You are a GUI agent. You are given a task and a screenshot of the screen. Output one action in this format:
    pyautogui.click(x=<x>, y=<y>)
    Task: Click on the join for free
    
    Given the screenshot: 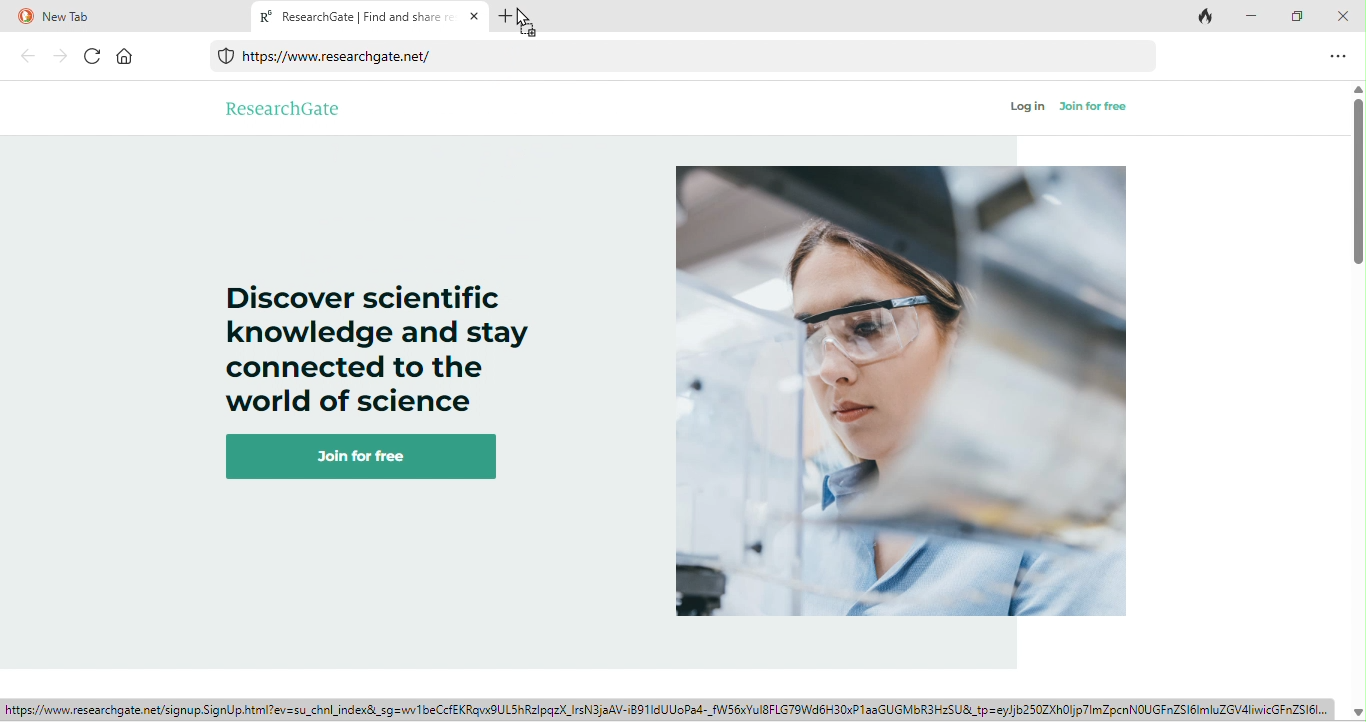 What is the action you would take?
    pyautogui.click(x=369, y=457)
    